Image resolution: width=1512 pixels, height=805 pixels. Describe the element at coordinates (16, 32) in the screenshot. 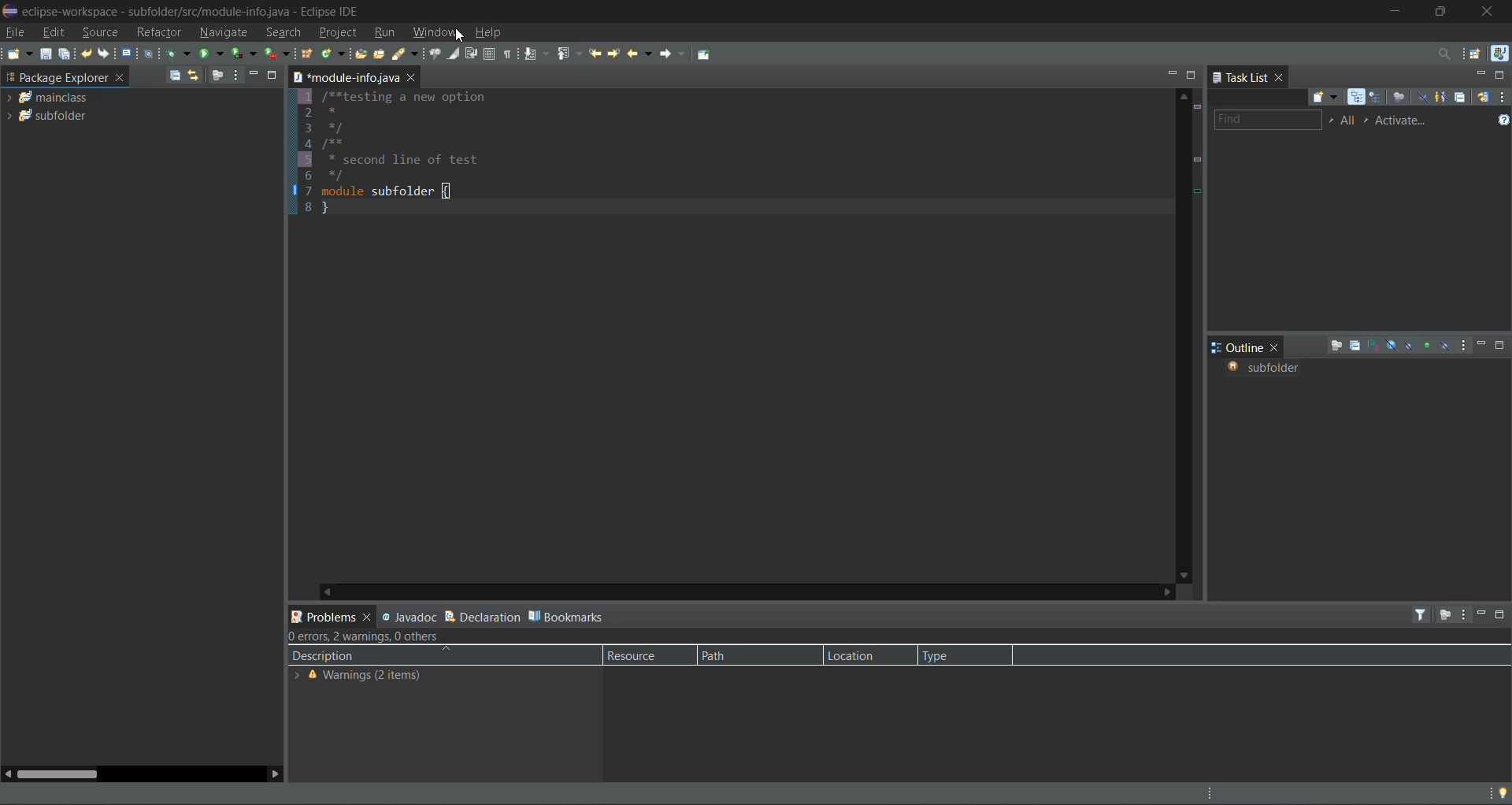

I see `file` at that location.